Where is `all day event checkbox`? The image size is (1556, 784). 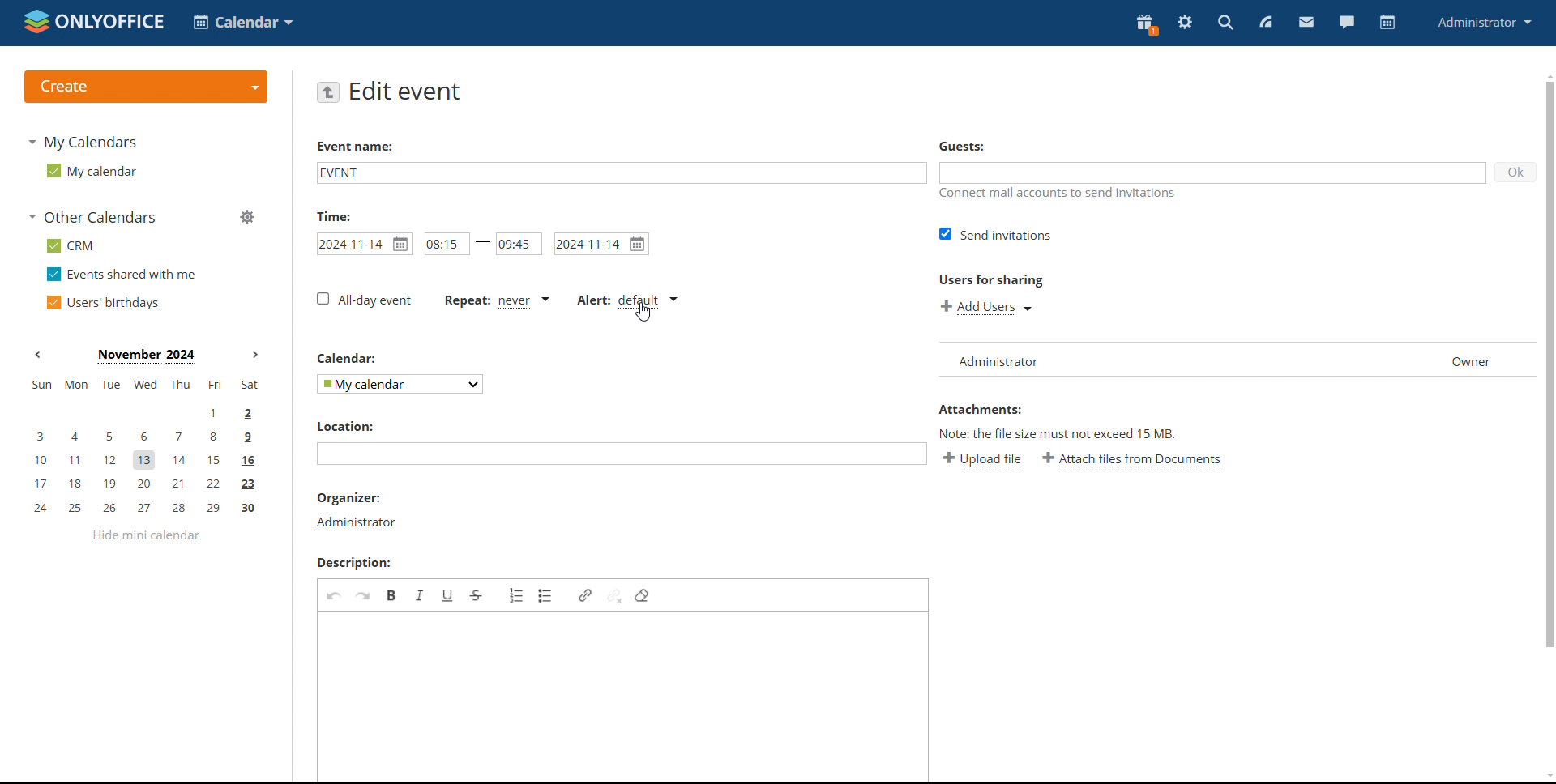 all day event checkbox is located at coordinates (362, 300).